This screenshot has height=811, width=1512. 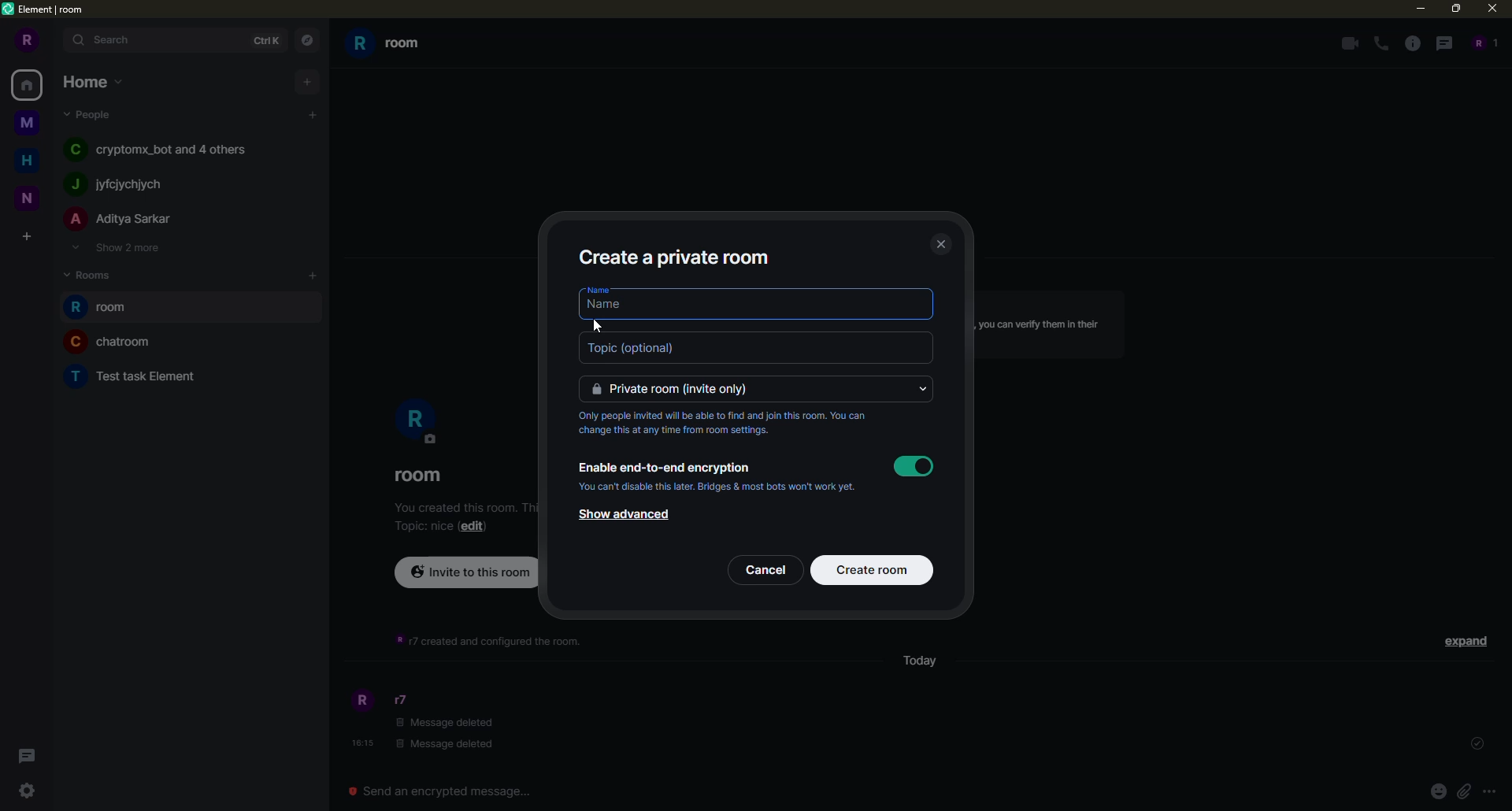 I want to click on info, so click(x=1411, y=43).